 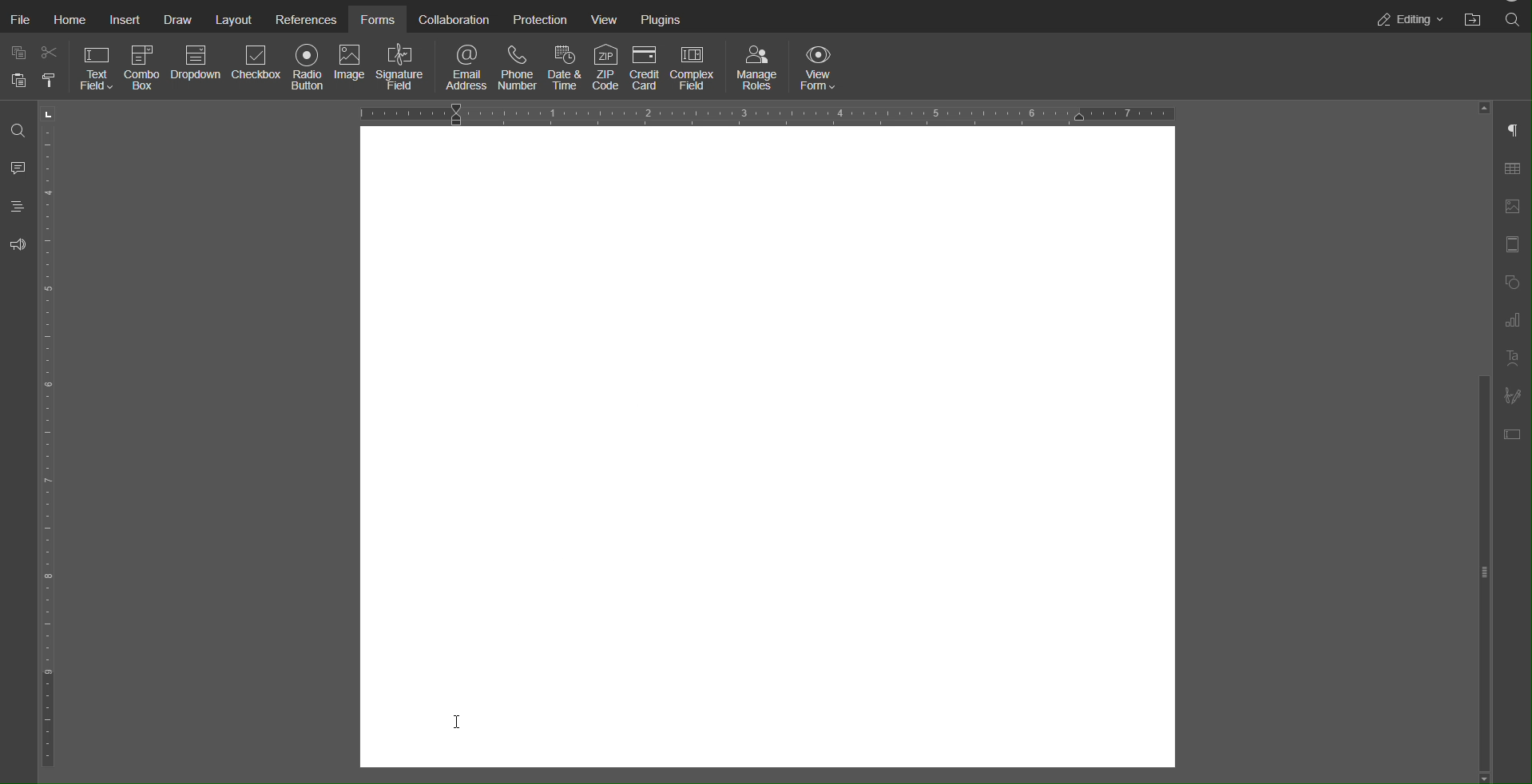 What do you see at coordinates (757, 67) in the screenshot?
I see `Manage Roles` at bounding box center [757, 67].